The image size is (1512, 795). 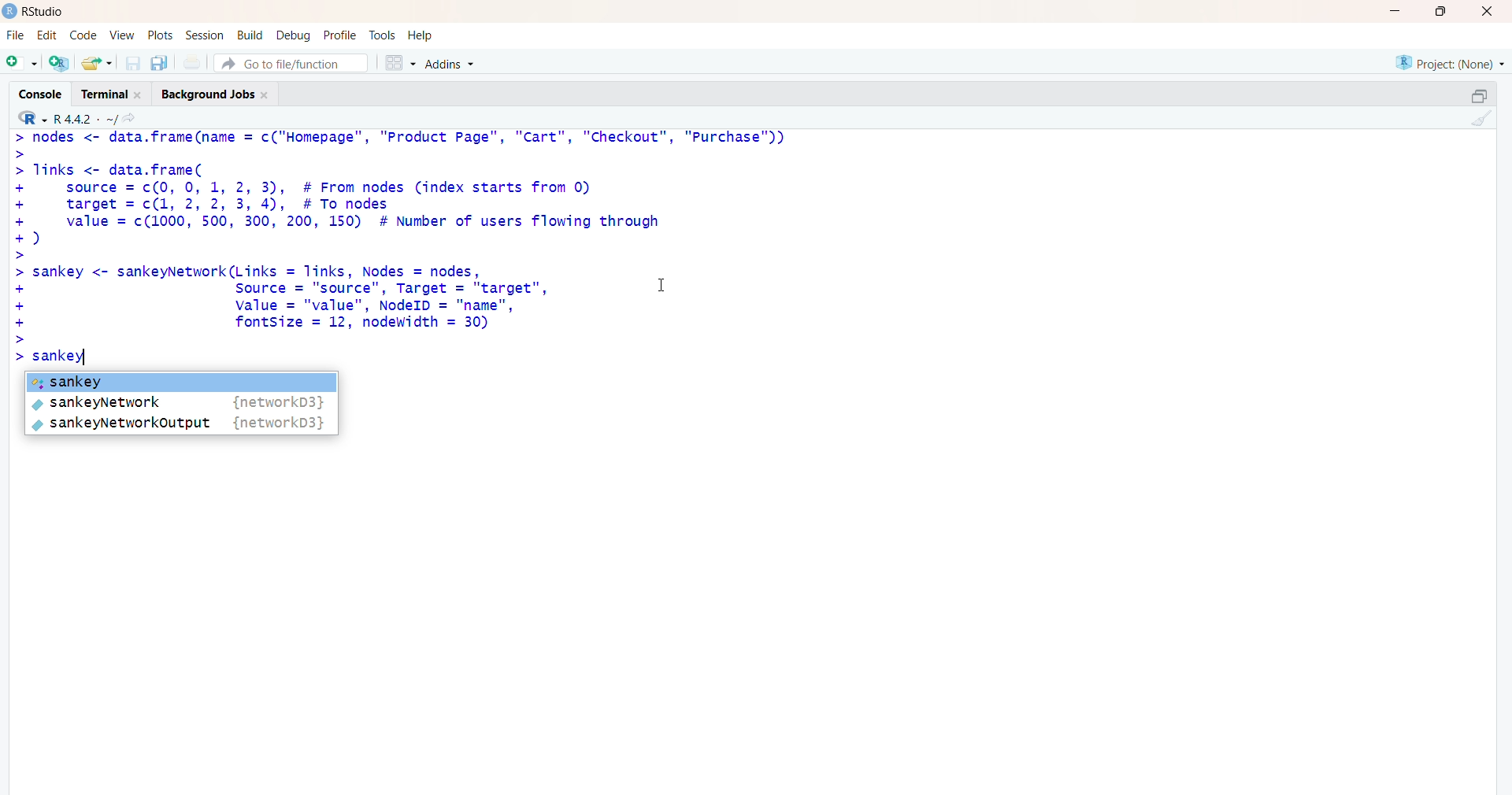 I want to click on edit, so click(x=46, y=35).